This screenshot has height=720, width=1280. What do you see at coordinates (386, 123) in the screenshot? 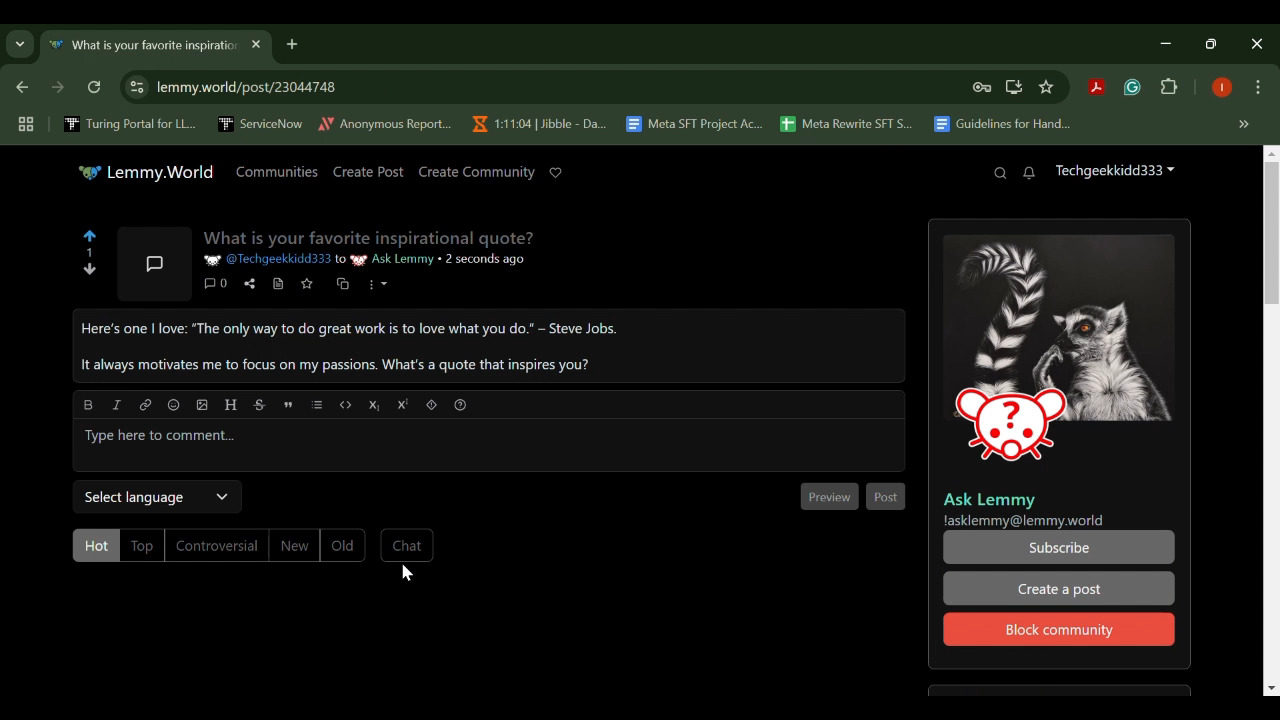
I see `Anonymous Report` at bounding box center [386, 123].